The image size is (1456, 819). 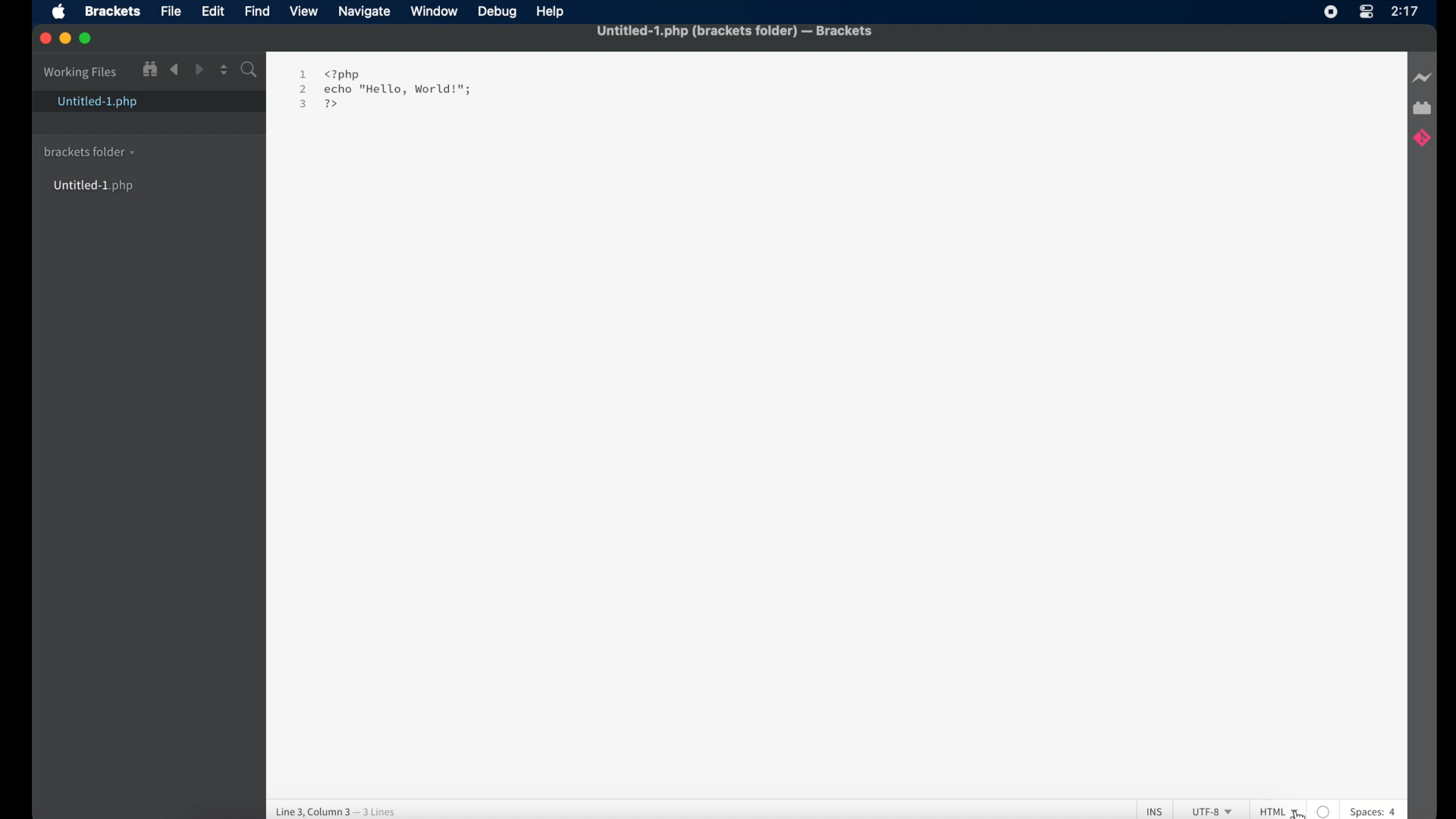 I want to click on brackets folder  dropdown menu, so click(x=89, y=152).